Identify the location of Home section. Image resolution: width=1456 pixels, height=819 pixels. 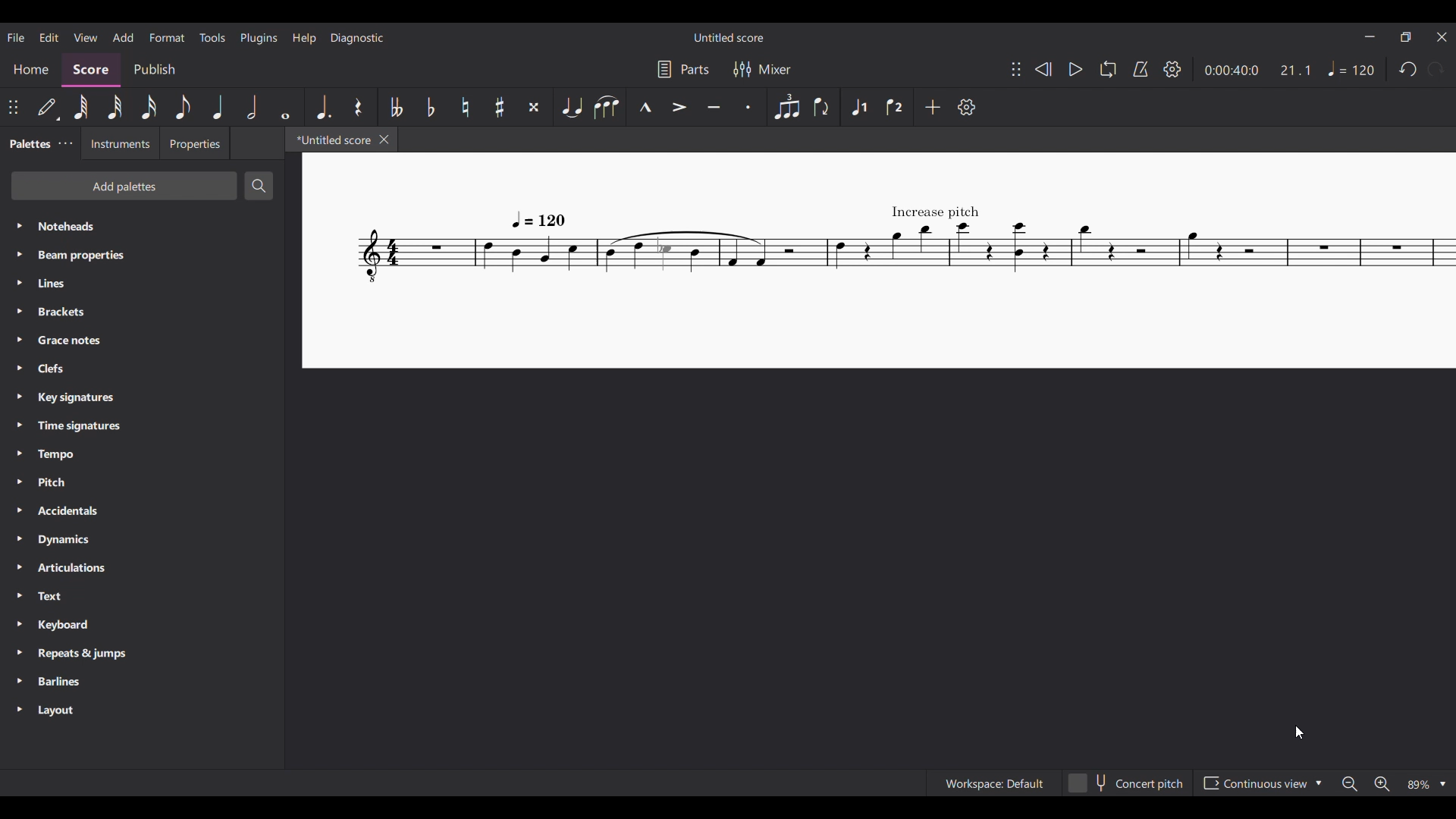
(30, 70).